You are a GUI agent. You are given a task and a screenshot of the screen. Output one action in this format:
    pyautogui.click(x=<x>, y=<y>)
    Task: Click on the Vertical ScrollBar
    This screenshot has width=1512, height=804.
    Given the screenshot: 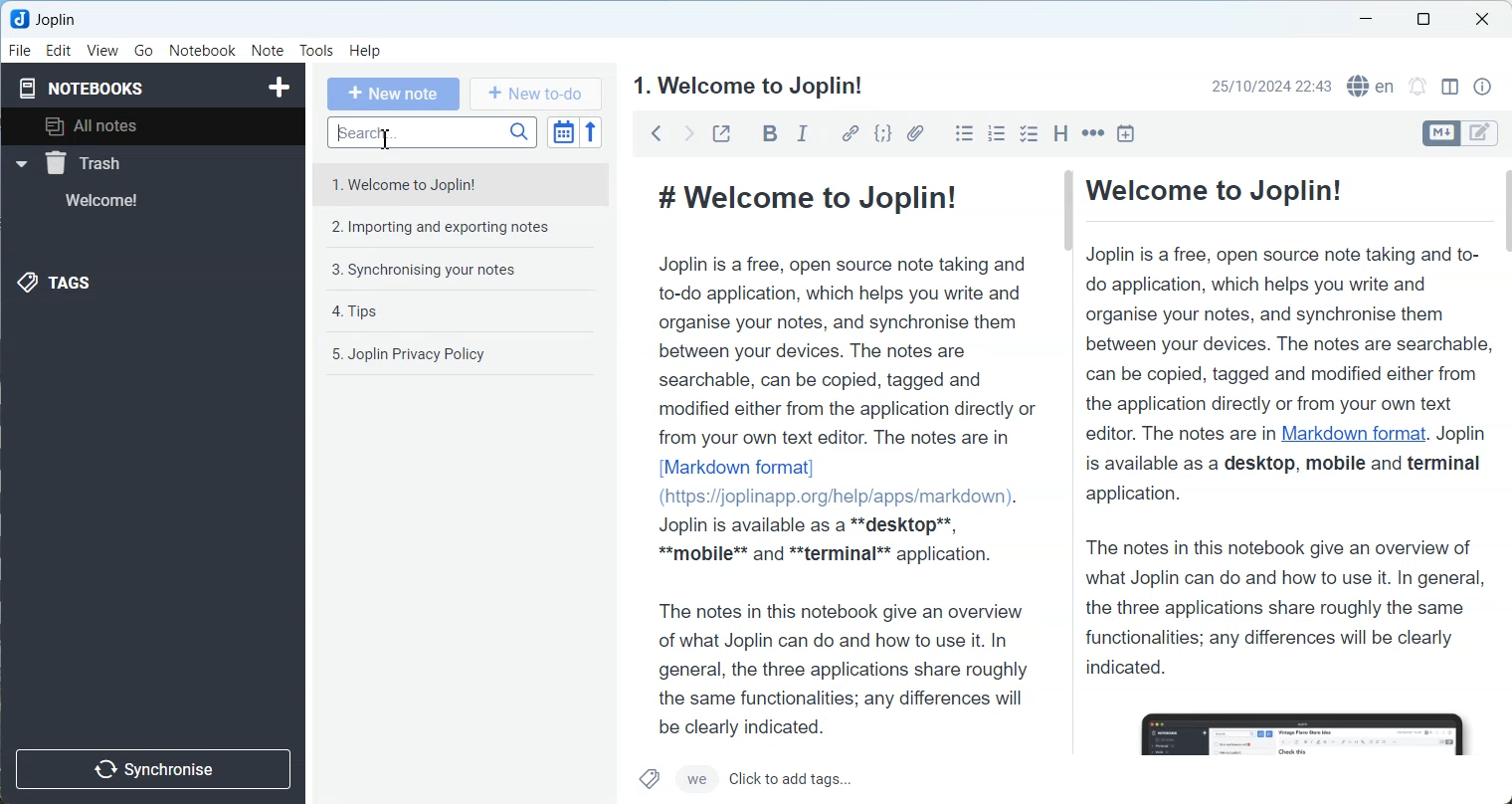 What is the action you would take?
    pyautogui.click(x=1066, y=371)
    